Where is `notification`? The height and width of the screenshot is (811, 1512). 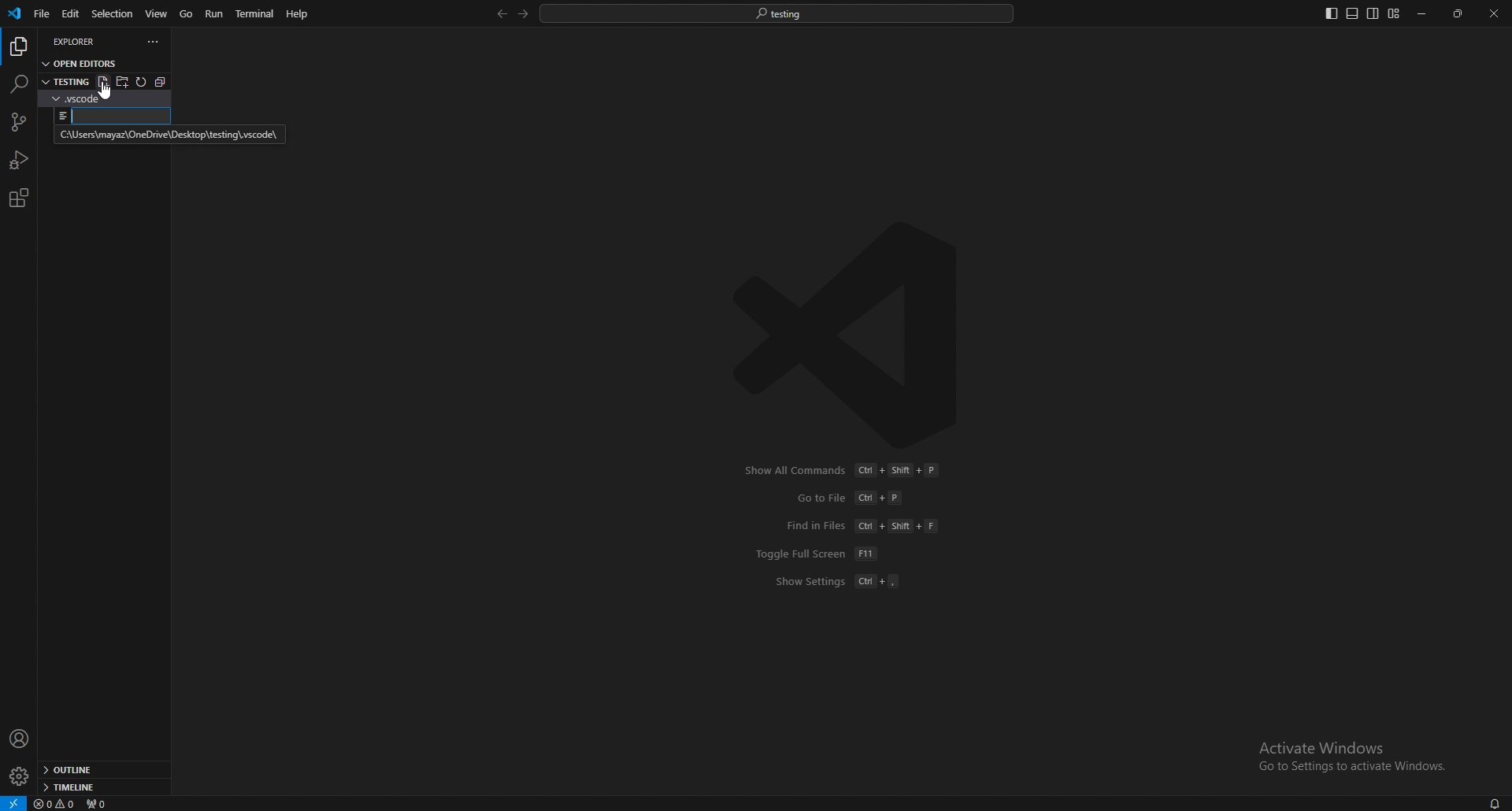
notification is located at coordinates (1493, 803).